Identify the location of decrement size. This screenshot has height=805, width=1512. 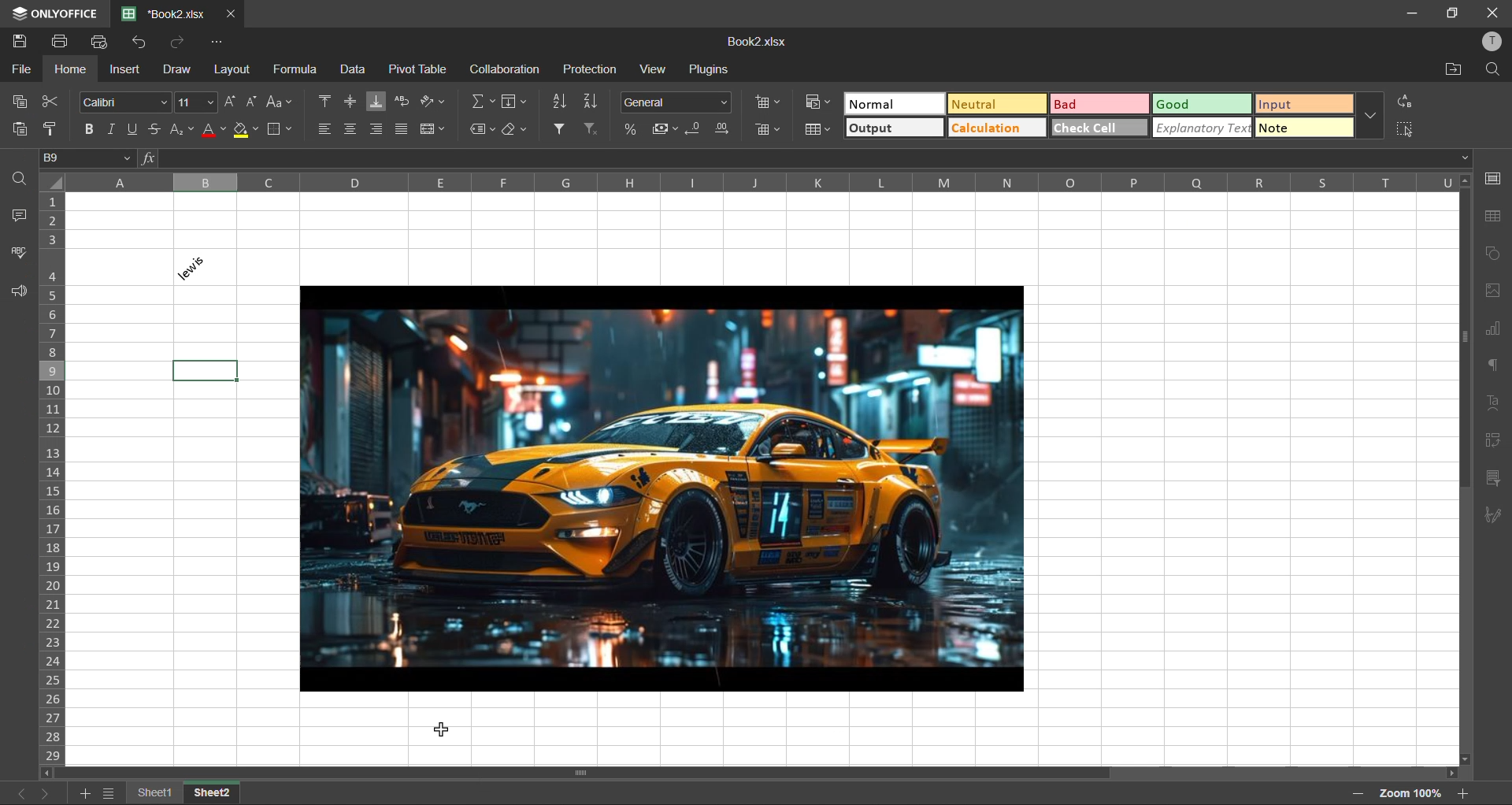
(254, 102).